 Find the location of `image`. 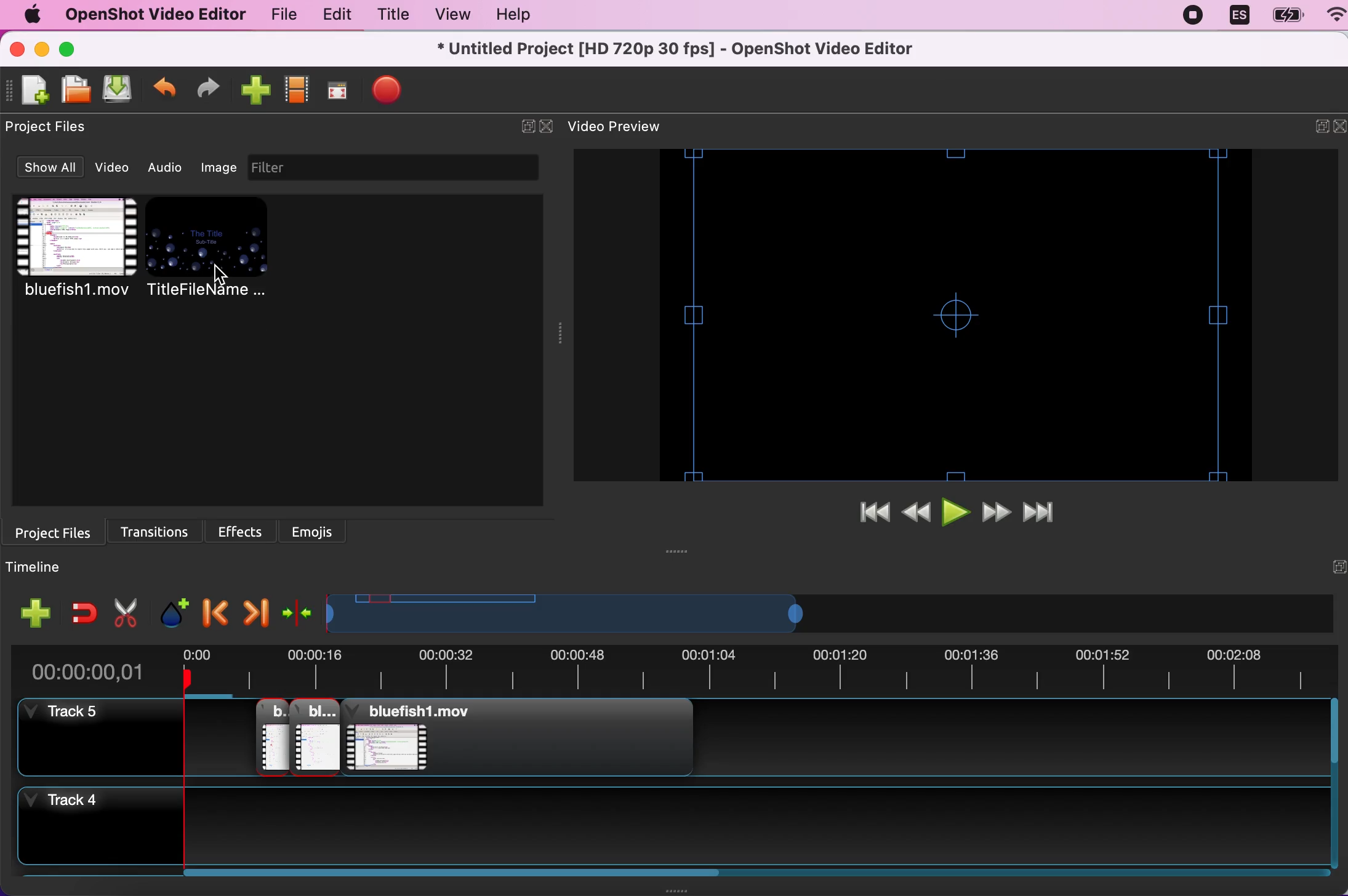

image is located at coordinates (219, 166).